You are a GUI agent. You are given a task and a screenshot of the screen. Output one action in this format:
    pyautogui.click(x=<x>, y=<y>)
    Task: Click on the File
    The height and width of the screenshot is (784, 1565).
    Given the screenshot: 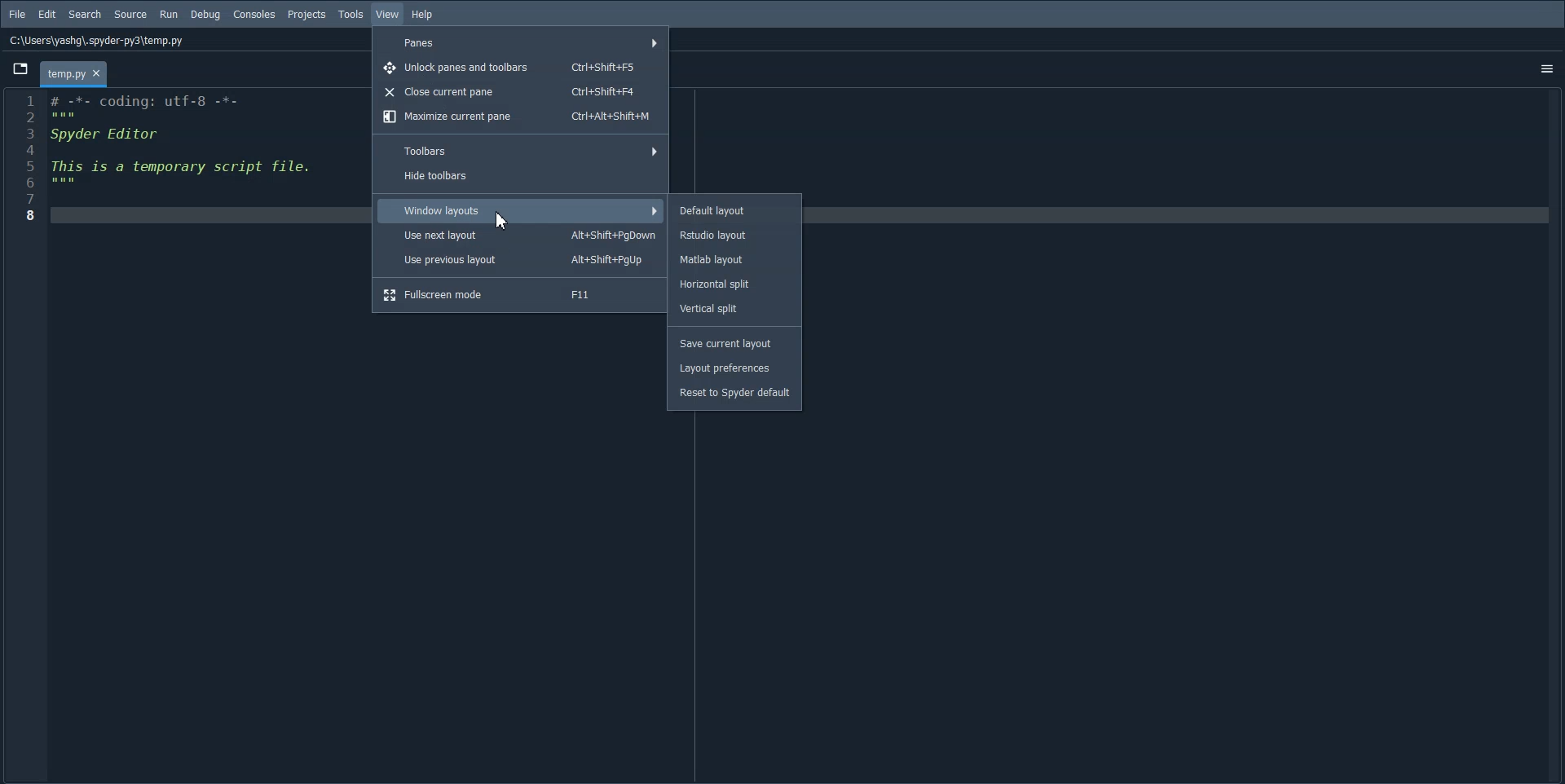 What is the action you would take?
    pyautogui.click(x=16, y=15)
    